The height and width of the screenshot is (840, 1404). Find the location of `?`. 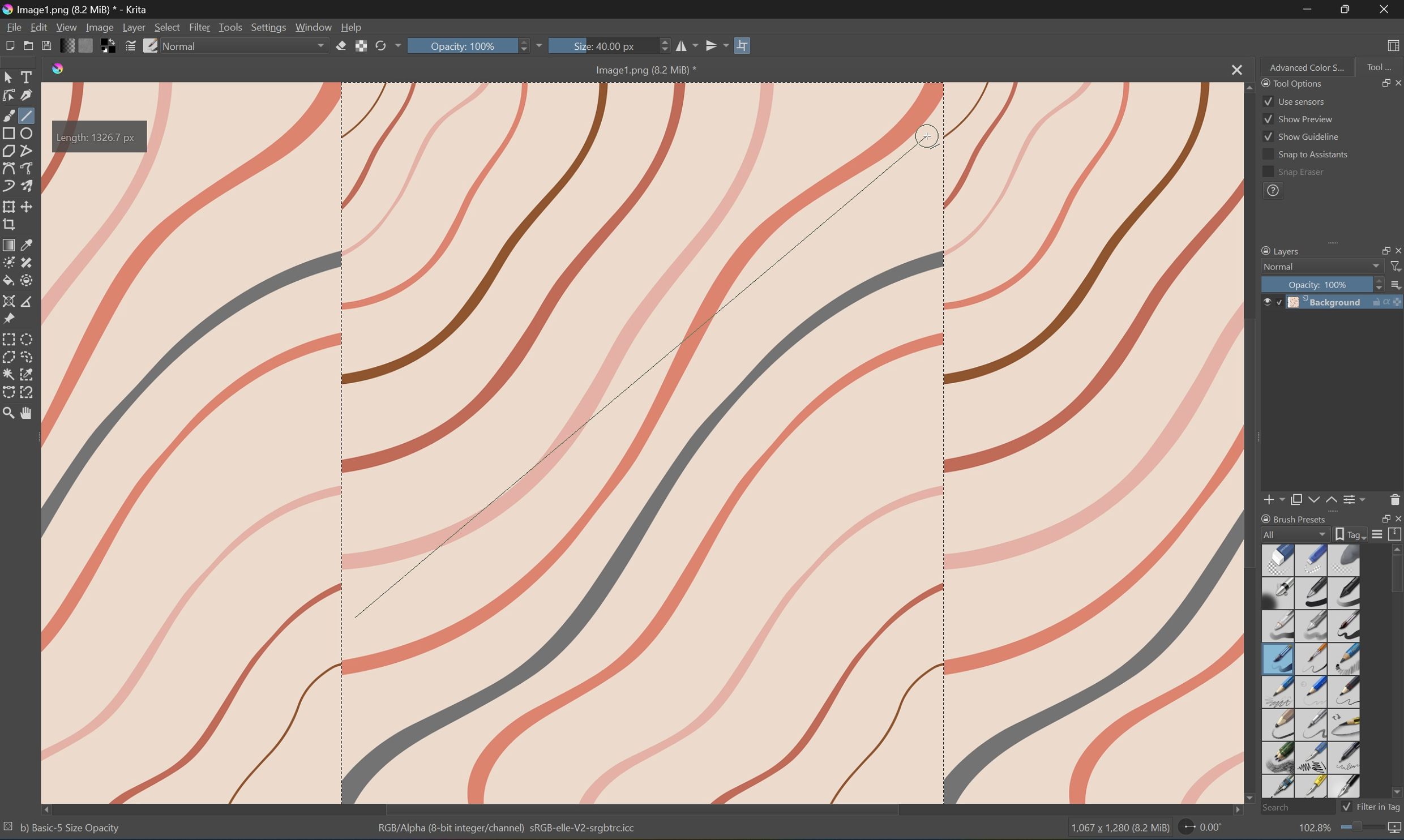

? is located at coordinates (1273, 192).